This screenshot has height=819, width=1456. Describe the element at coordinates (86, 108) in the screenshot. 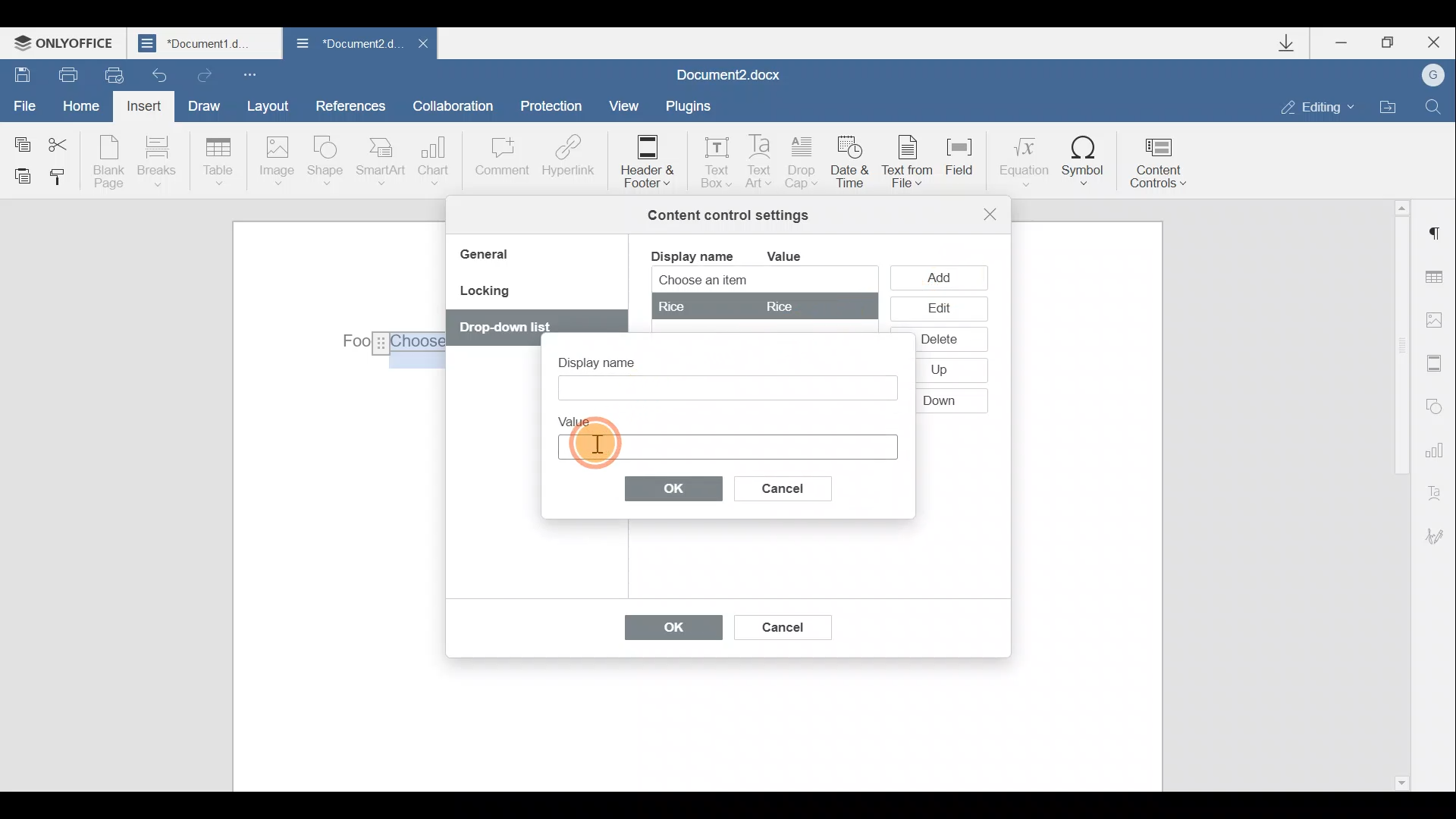

I see `Home` at that location.